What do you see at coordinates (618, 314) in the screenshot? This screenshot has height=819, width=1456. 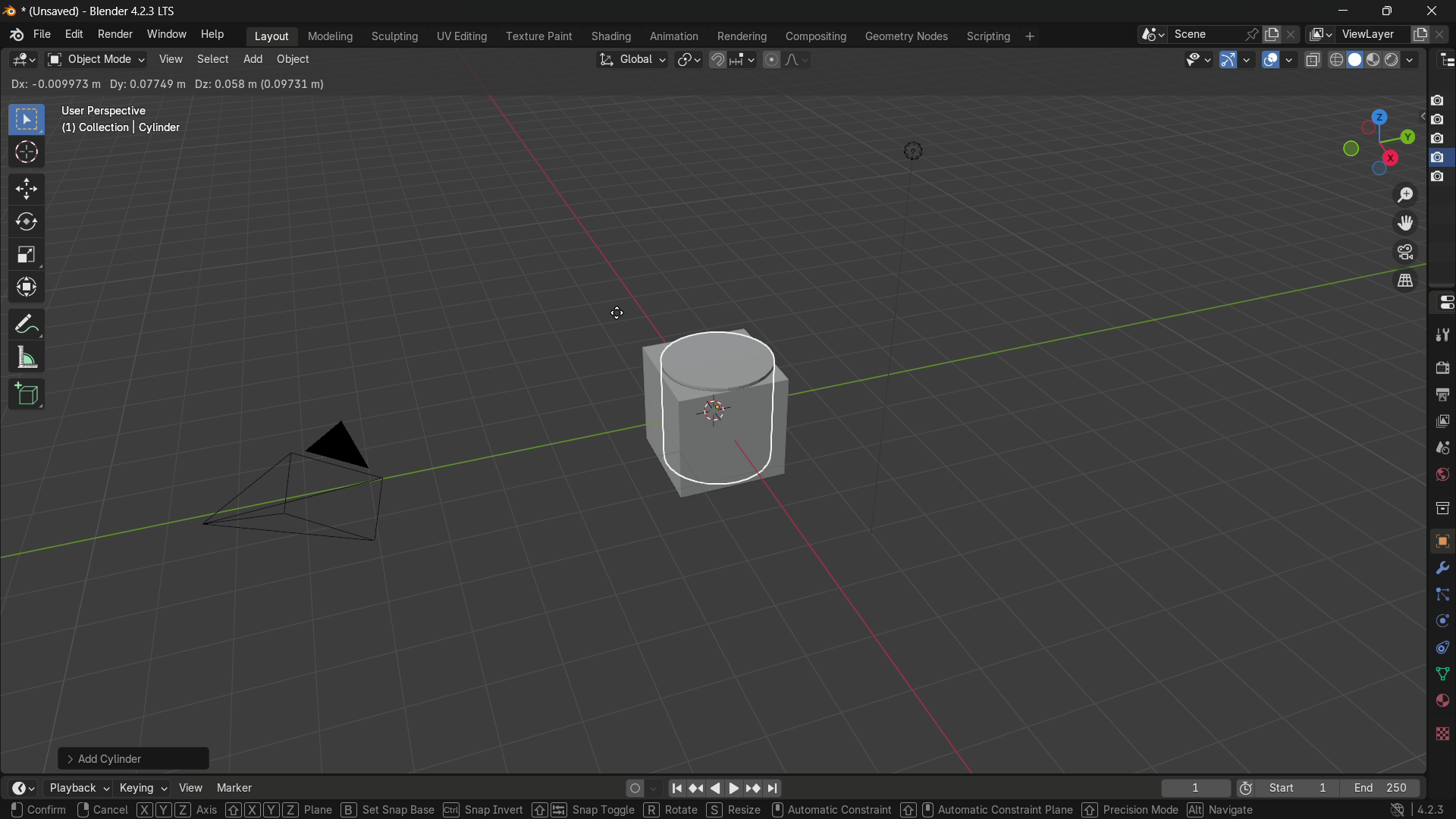 I see `cursor` at bounding box center [618, 314].